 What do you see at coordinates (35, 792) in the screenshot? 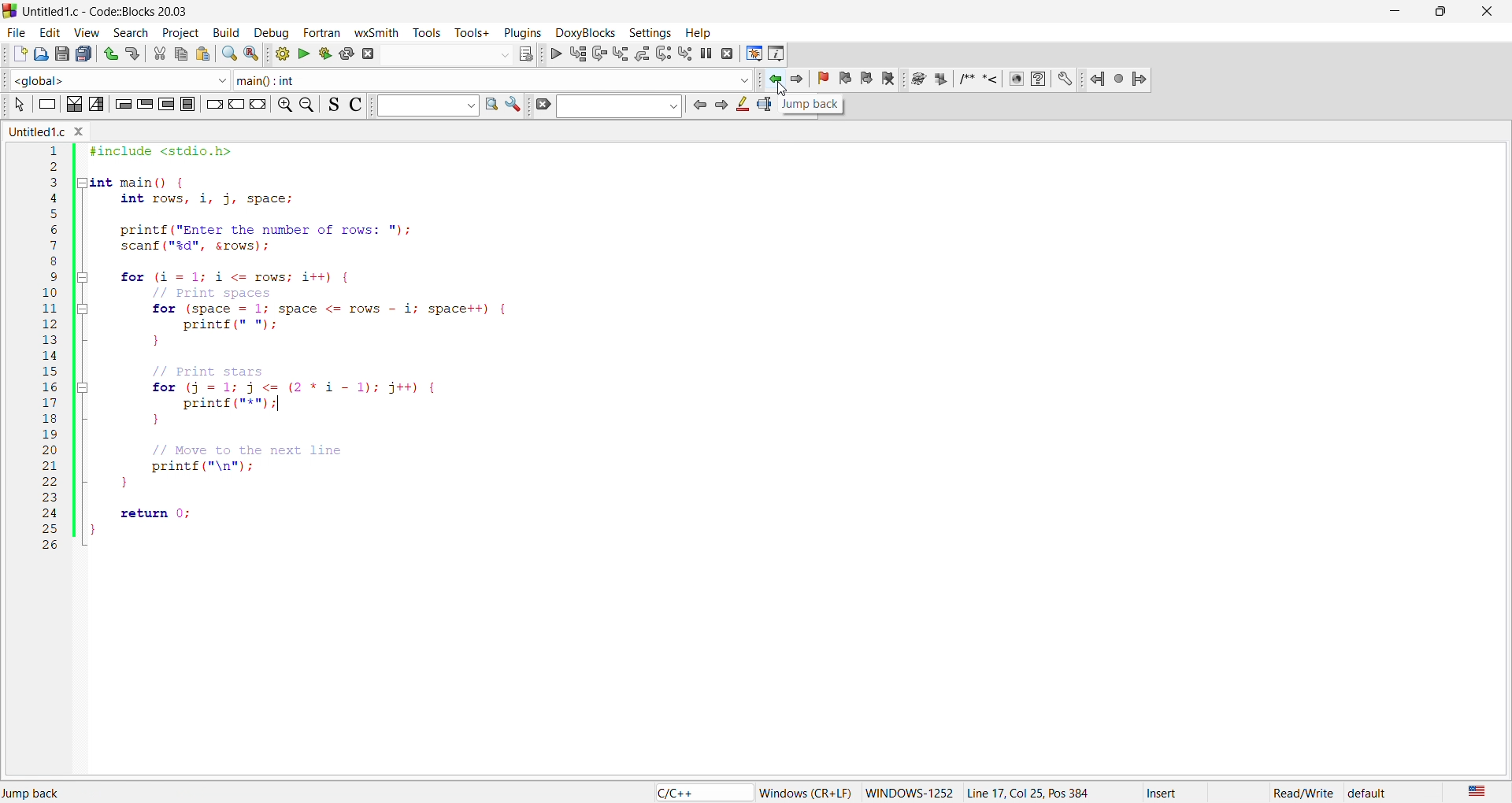
I see `jump back` at bounding box center [35, 792].